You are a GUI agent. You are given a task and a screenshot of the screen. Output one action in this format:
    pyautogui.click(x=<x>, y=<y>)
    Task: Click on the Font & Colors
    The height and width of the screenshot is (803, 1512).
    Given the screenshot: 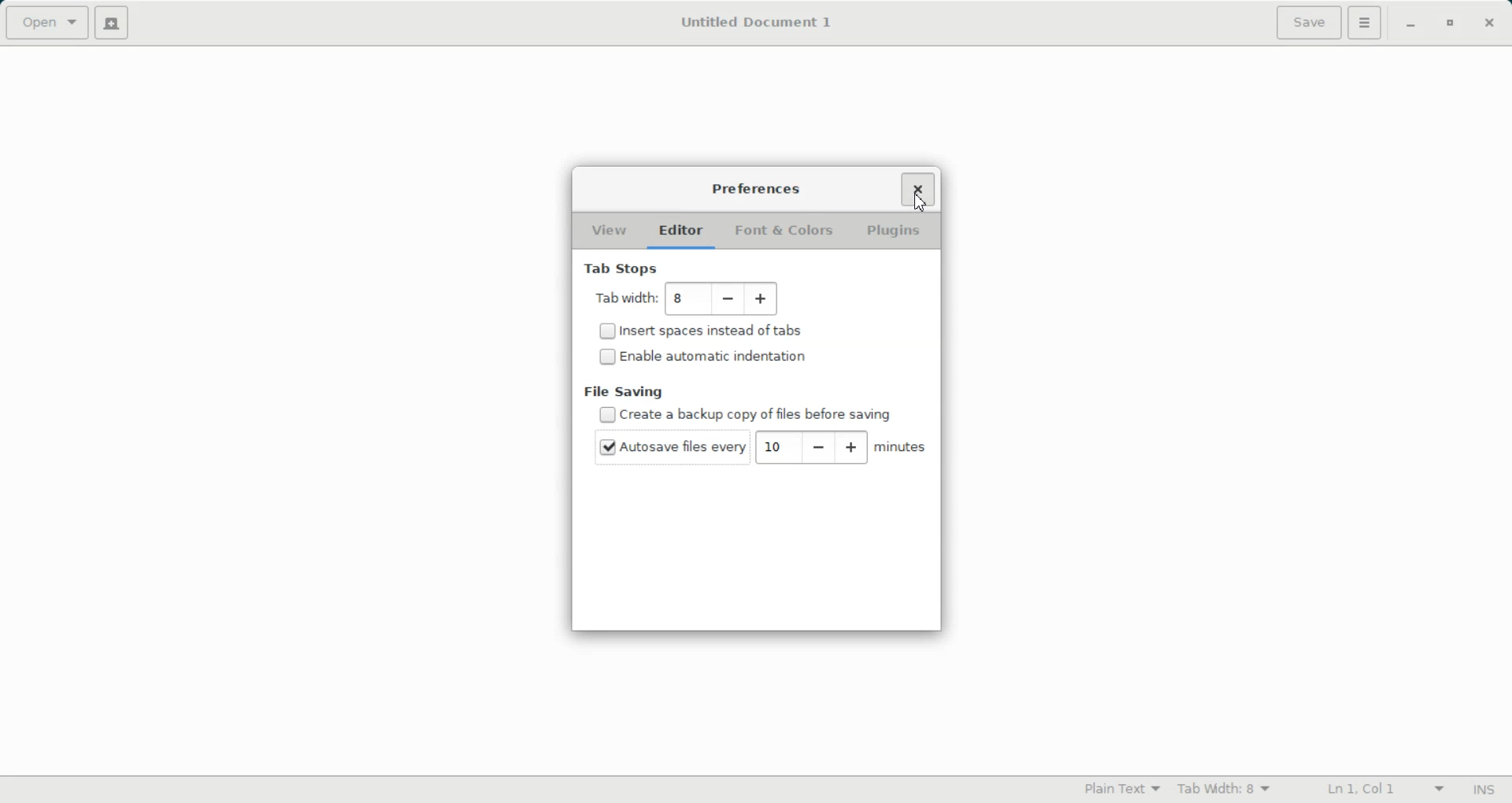 What is the action you would take?
    pyautogui.click(x=782, y=232)
    